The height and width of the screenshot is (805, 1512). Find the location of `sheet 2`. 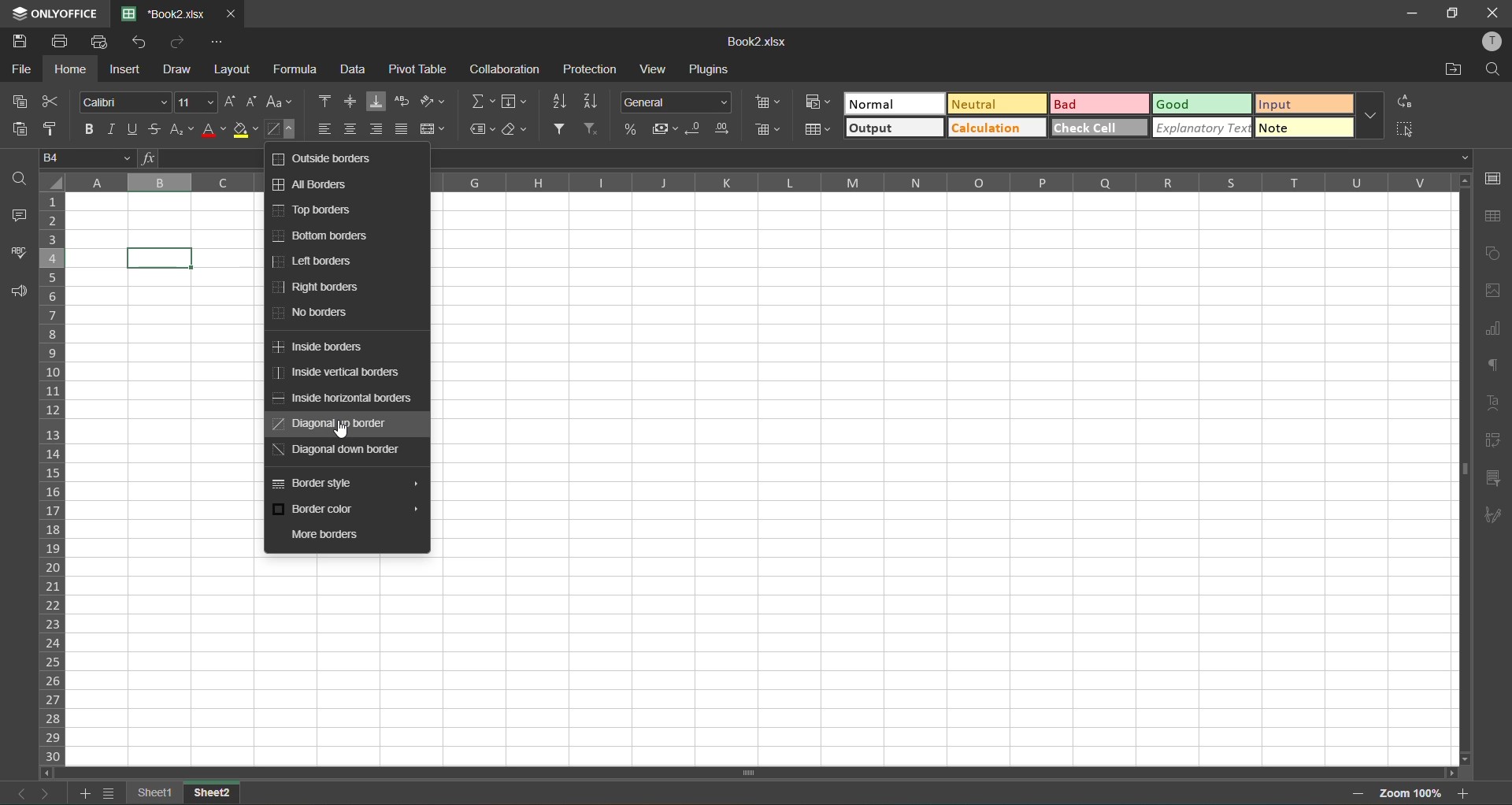

sheet 2 is located at coordinates (210, 792).